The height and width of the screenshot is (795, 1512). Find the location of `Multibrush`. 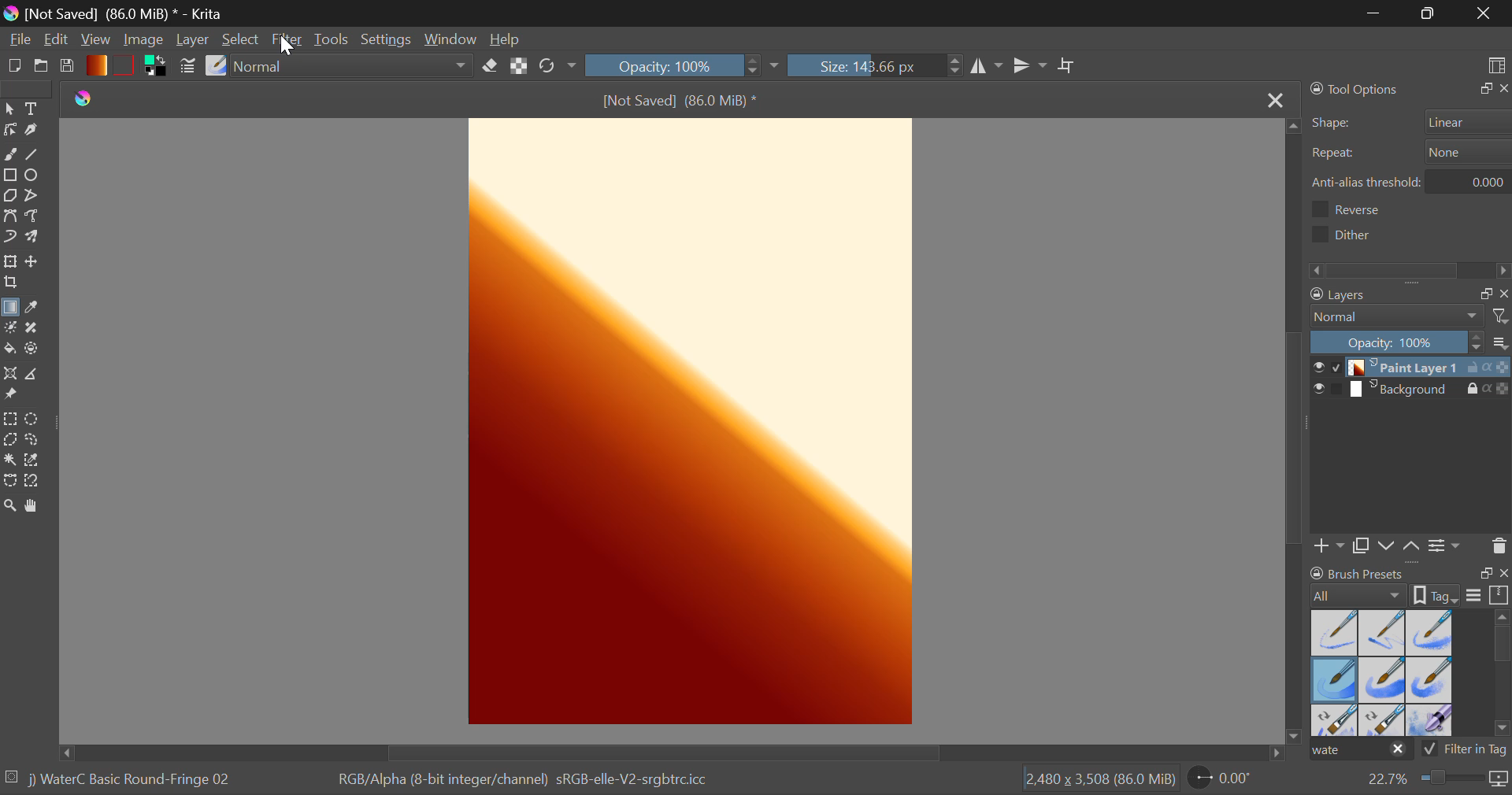

Multibrush is located at coordinates (34, 238).